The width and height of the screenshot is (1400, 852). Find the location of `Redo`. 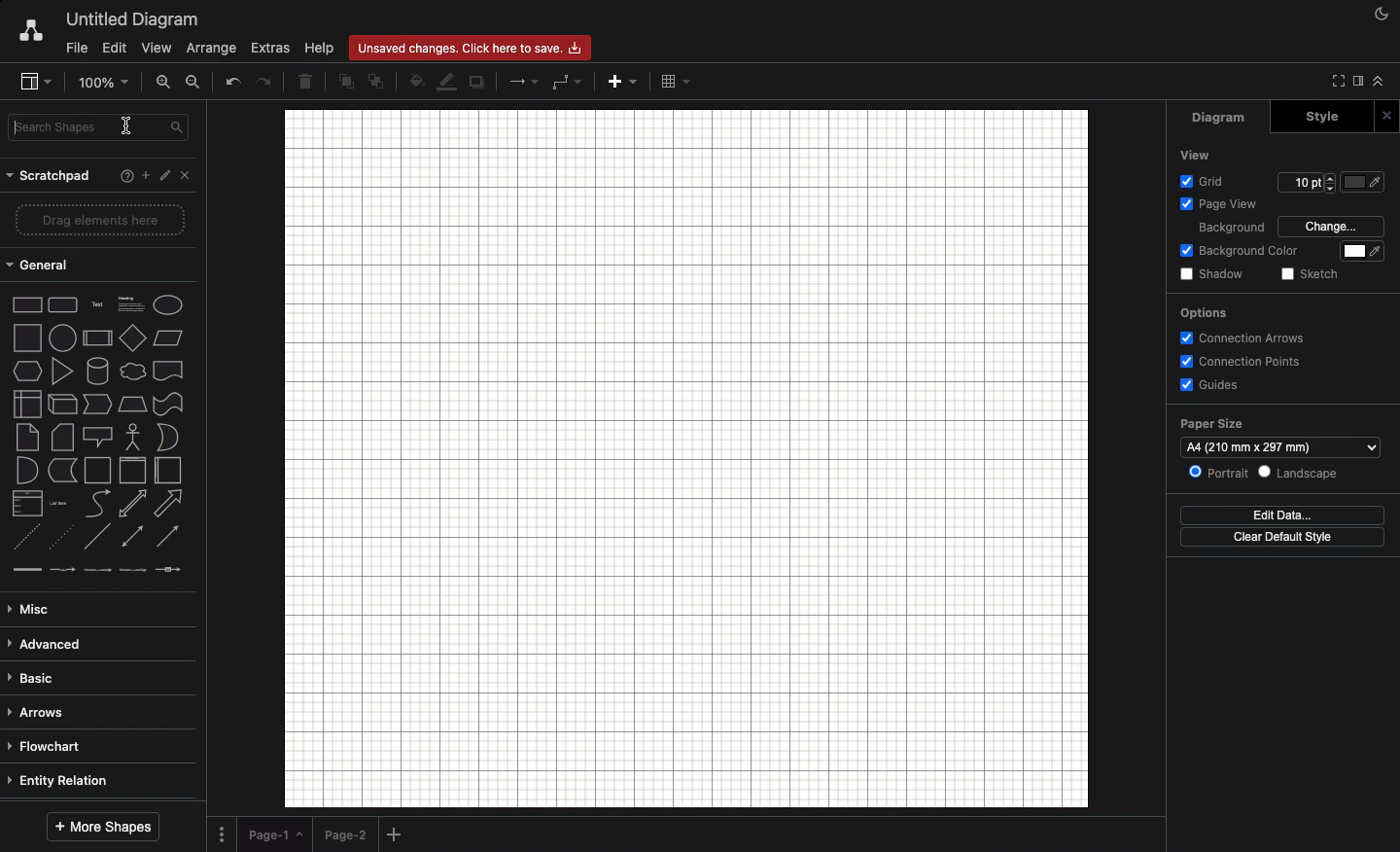

Redo is located at coordinates (266, 81).